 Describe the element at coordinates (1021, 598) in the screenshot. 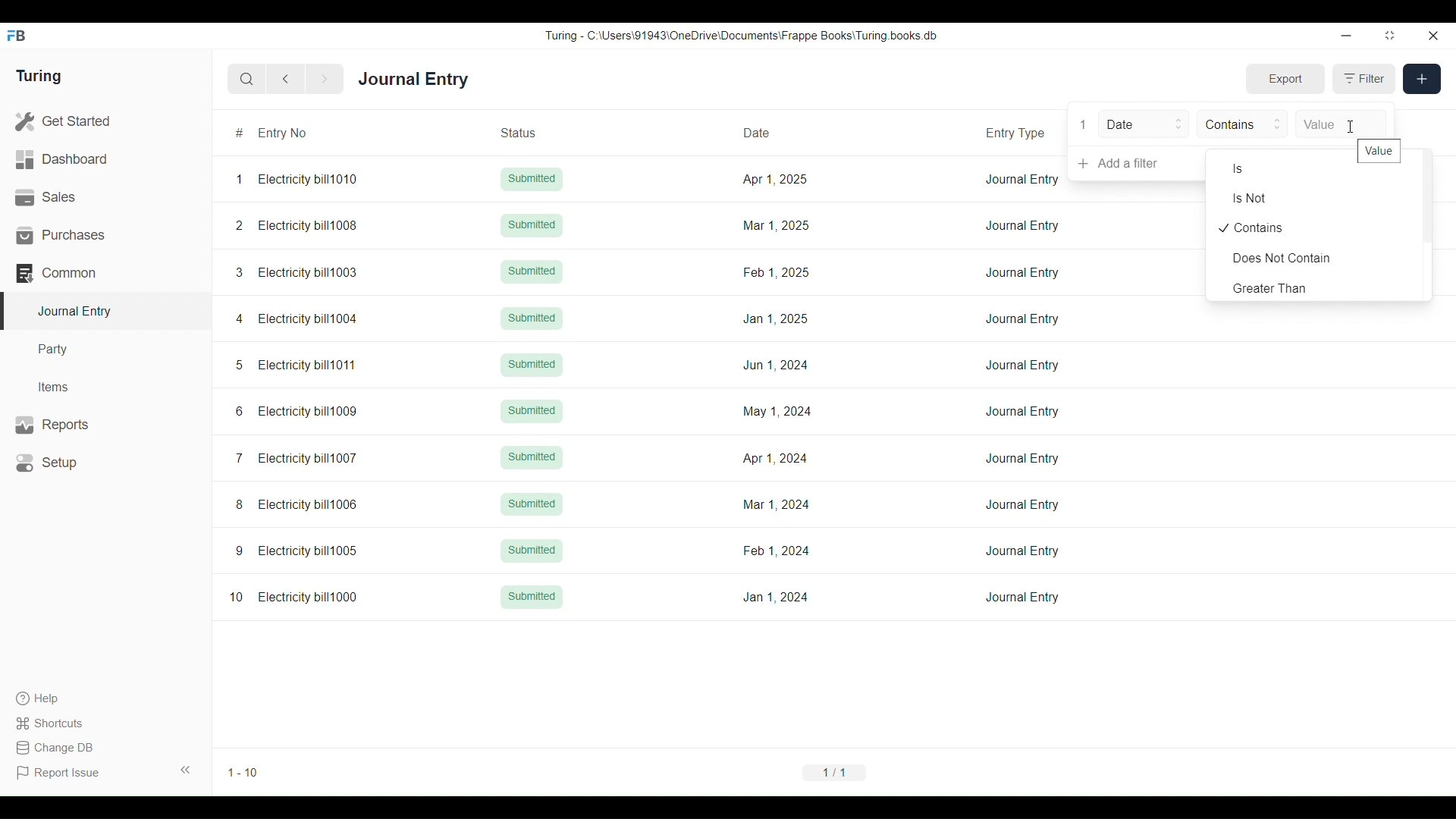

I see `Journal Entry` at that location.